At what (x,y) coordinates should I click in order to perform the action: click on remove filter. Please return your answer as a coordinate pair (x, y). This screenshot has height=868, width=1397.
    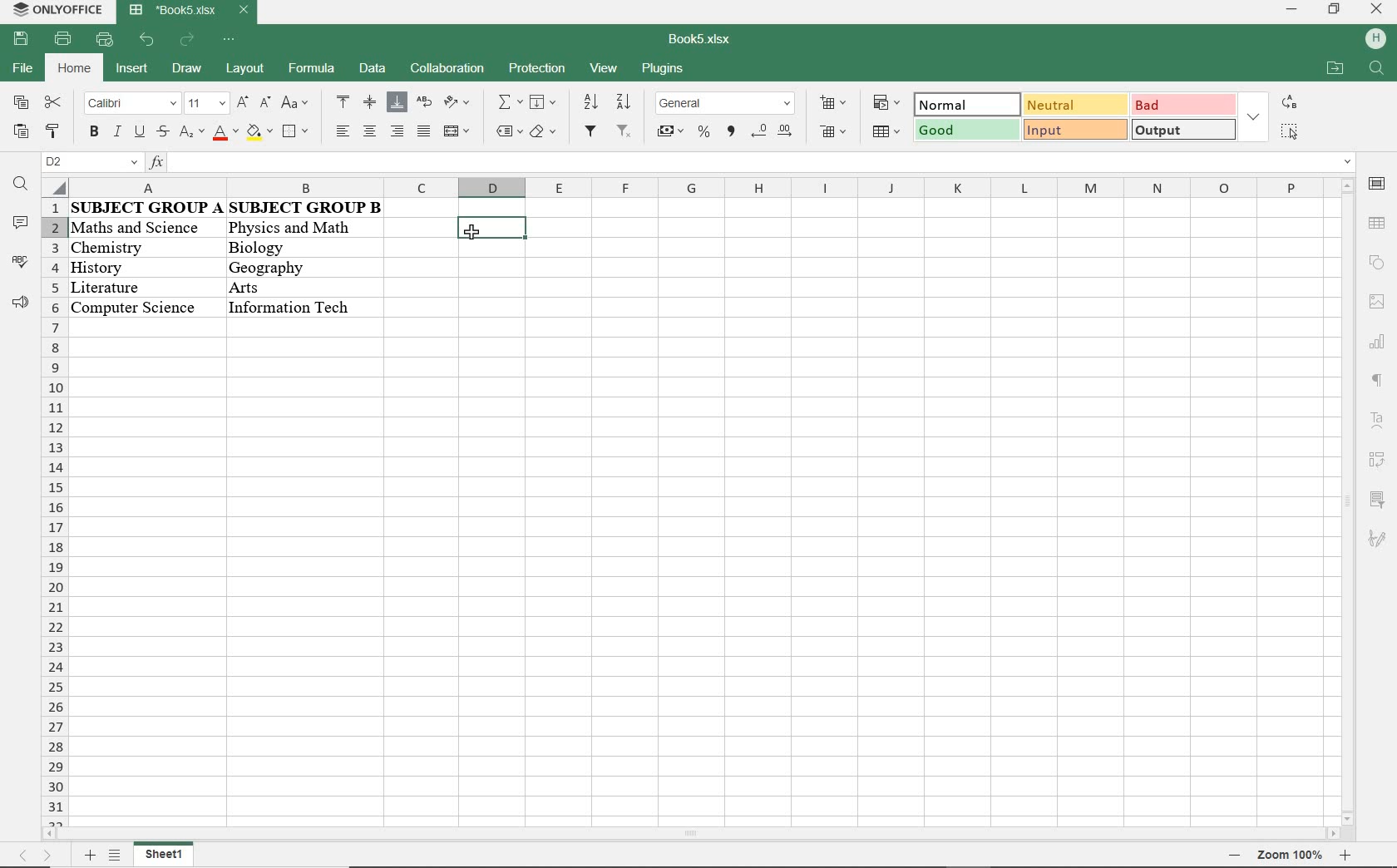
    Looking at the image, I should click on (624, 132).